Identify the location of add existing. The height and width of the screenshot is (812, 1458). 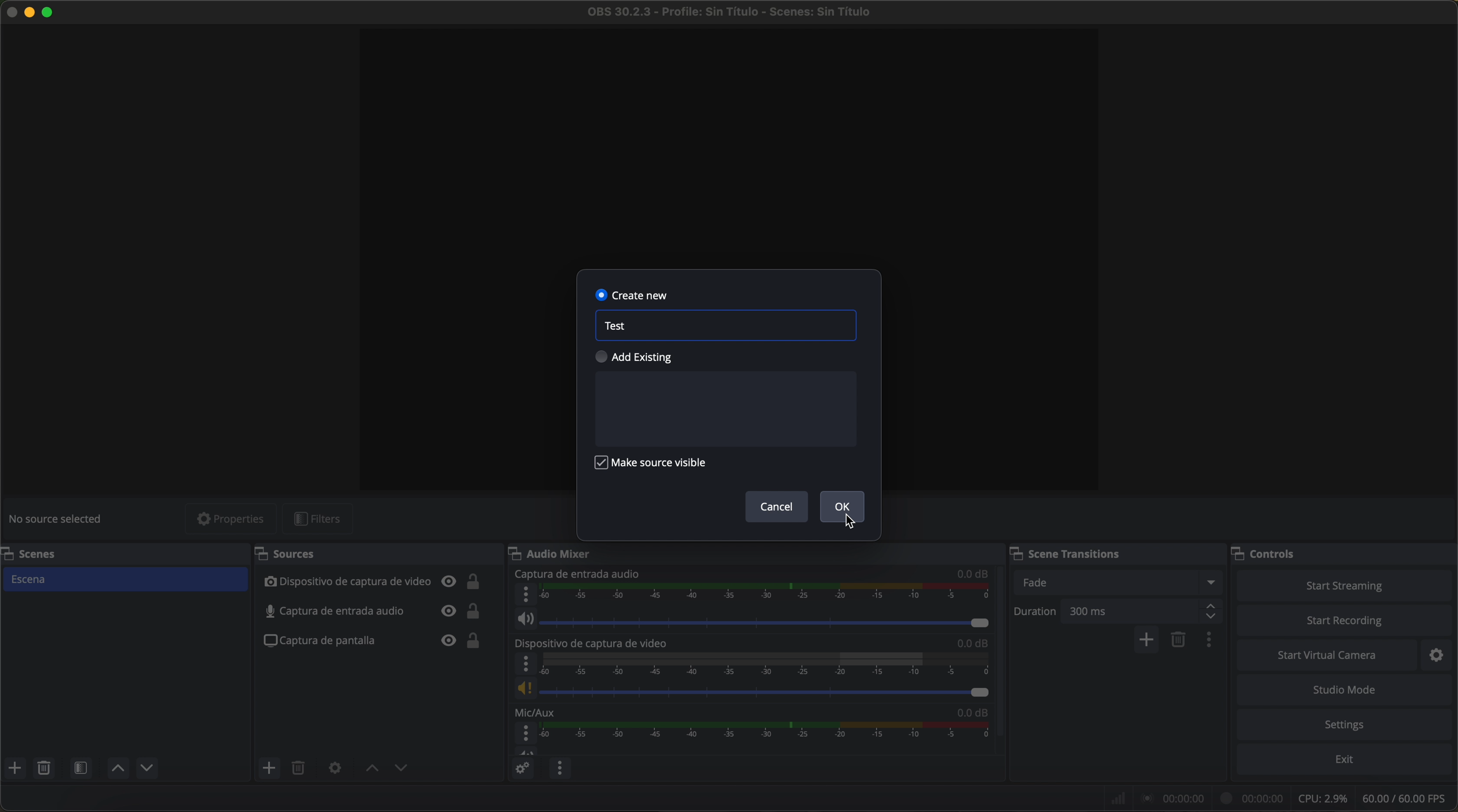
(636, 357).